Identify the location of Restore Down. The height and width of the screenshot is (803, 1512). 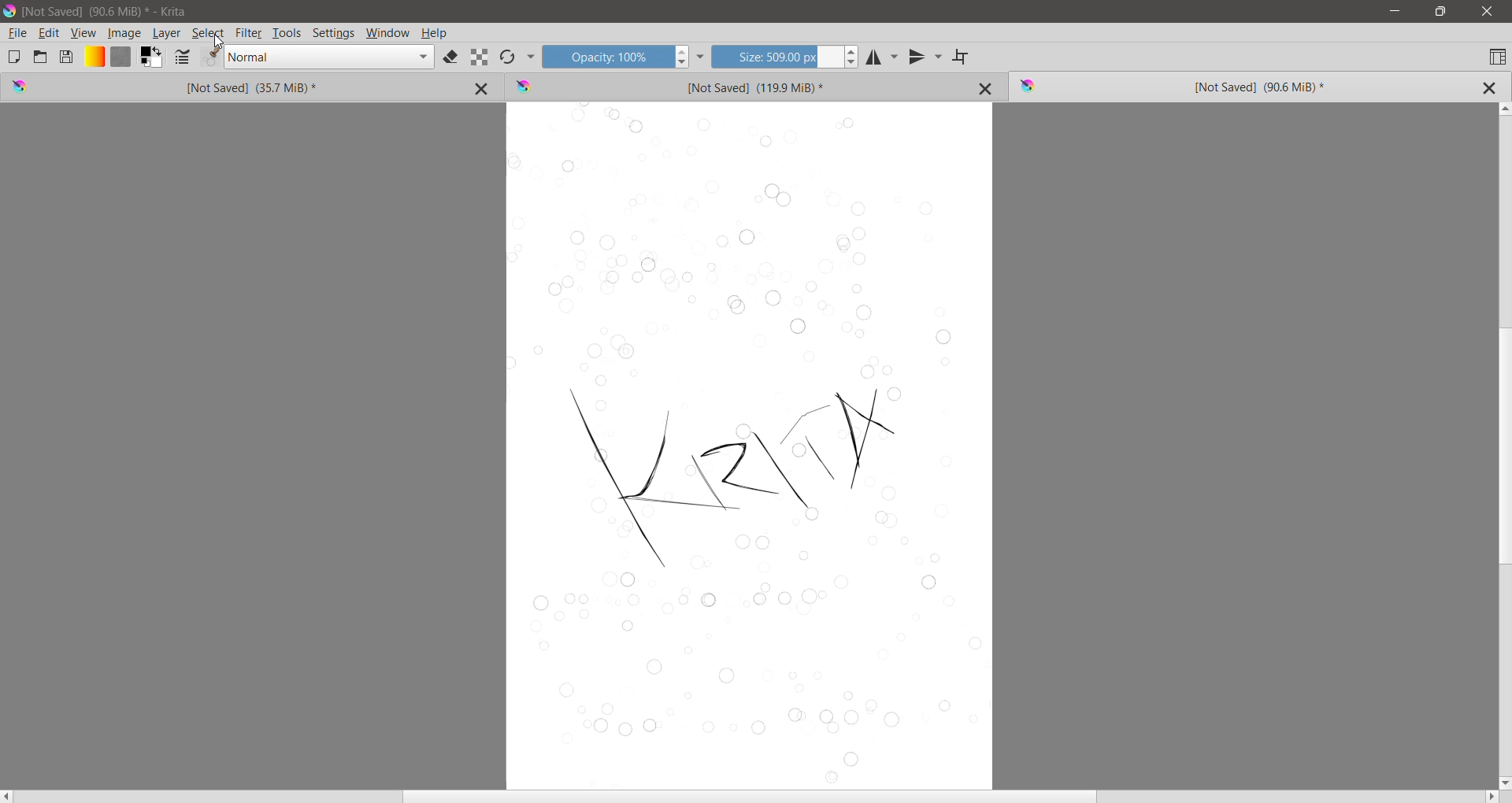
(1440, 12).